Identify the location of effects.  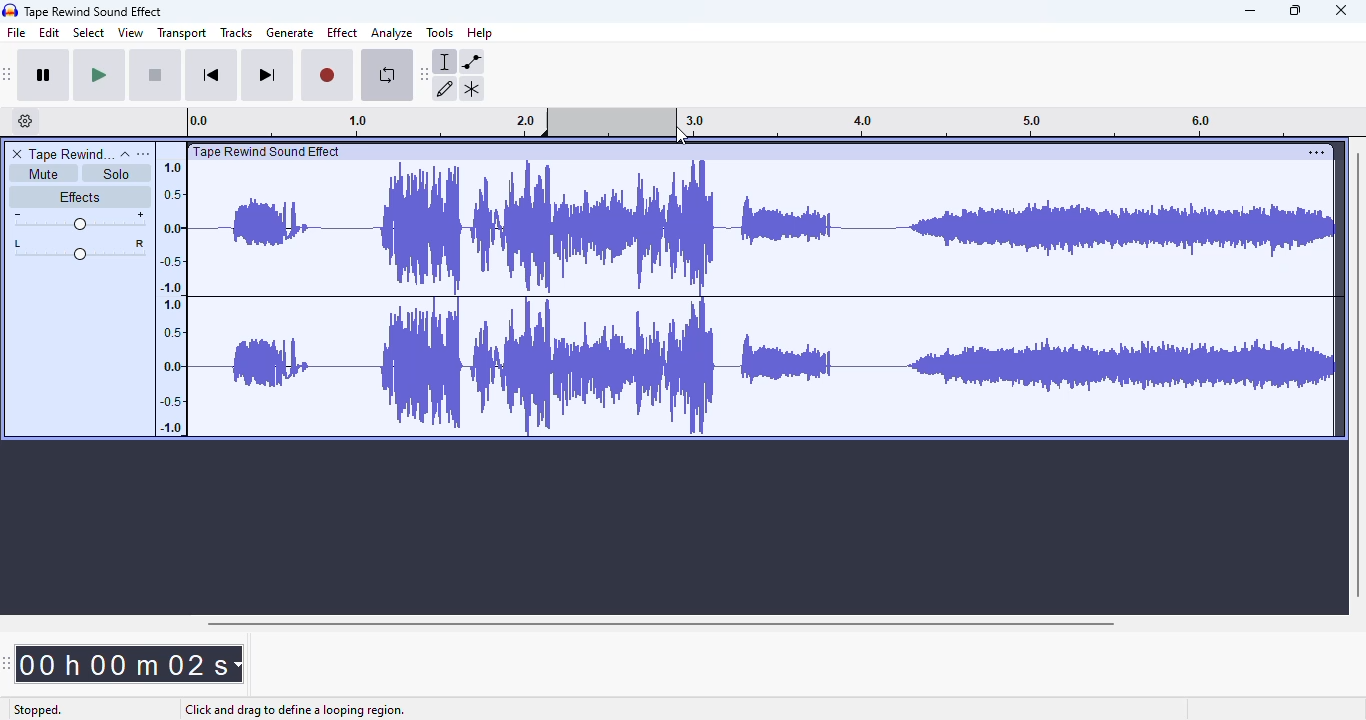
(79, 199).